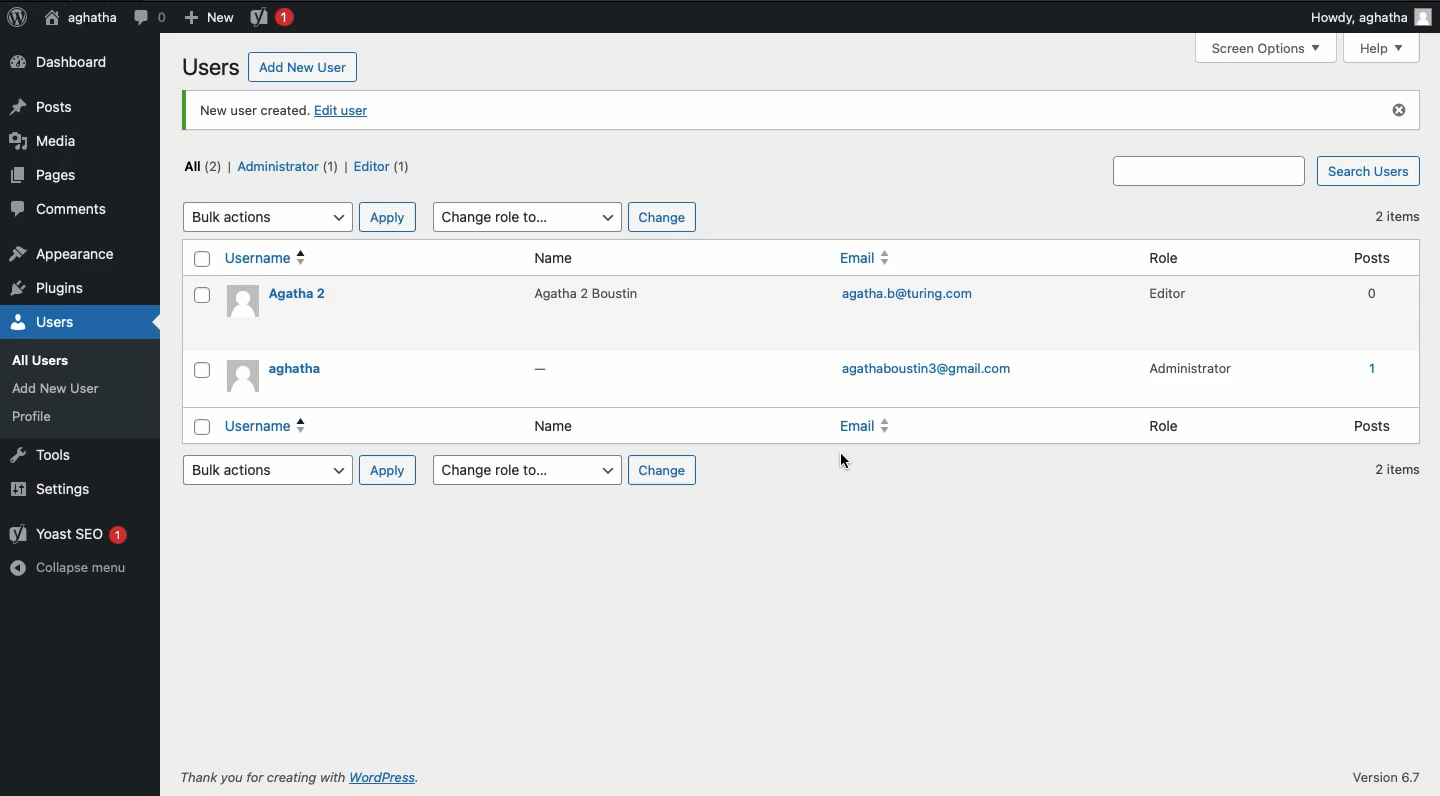  I want to click on Editor (1), so click(380, 169).